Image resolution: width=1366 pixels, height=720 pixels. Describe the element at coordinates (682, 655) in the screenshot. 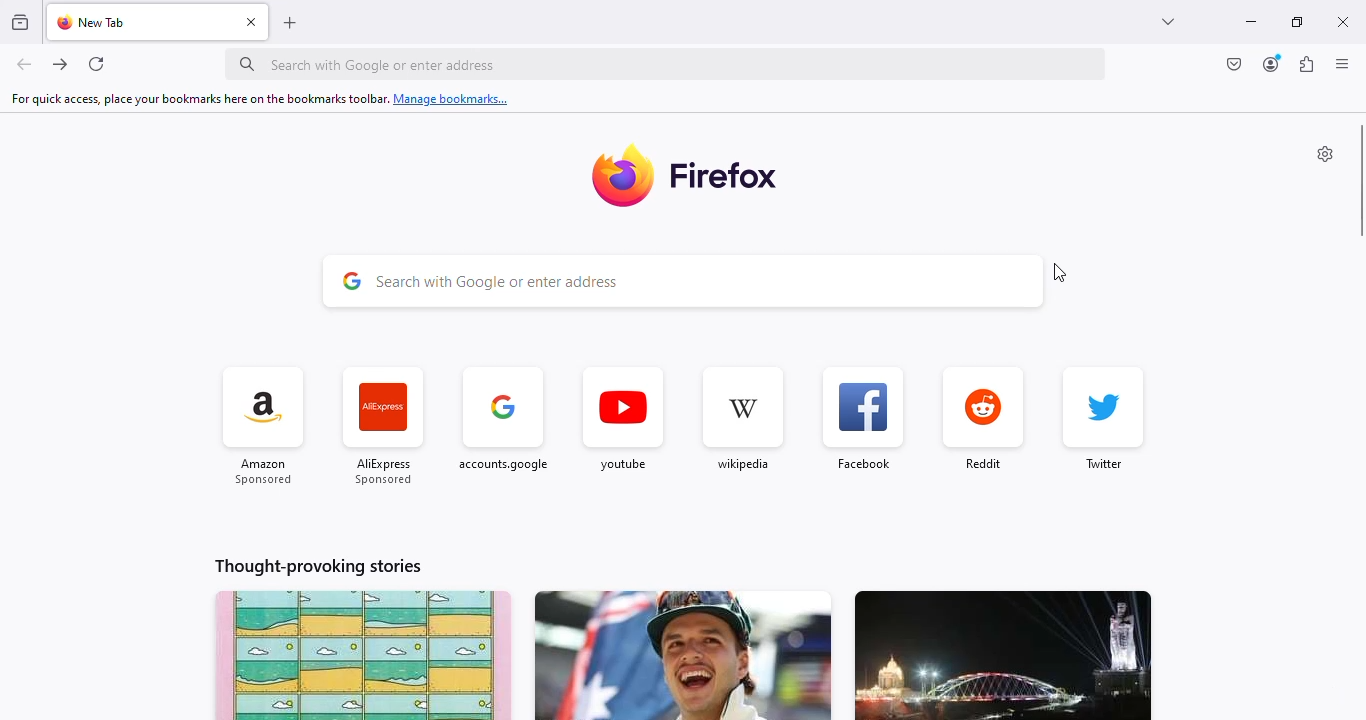

I see `story` at that location.